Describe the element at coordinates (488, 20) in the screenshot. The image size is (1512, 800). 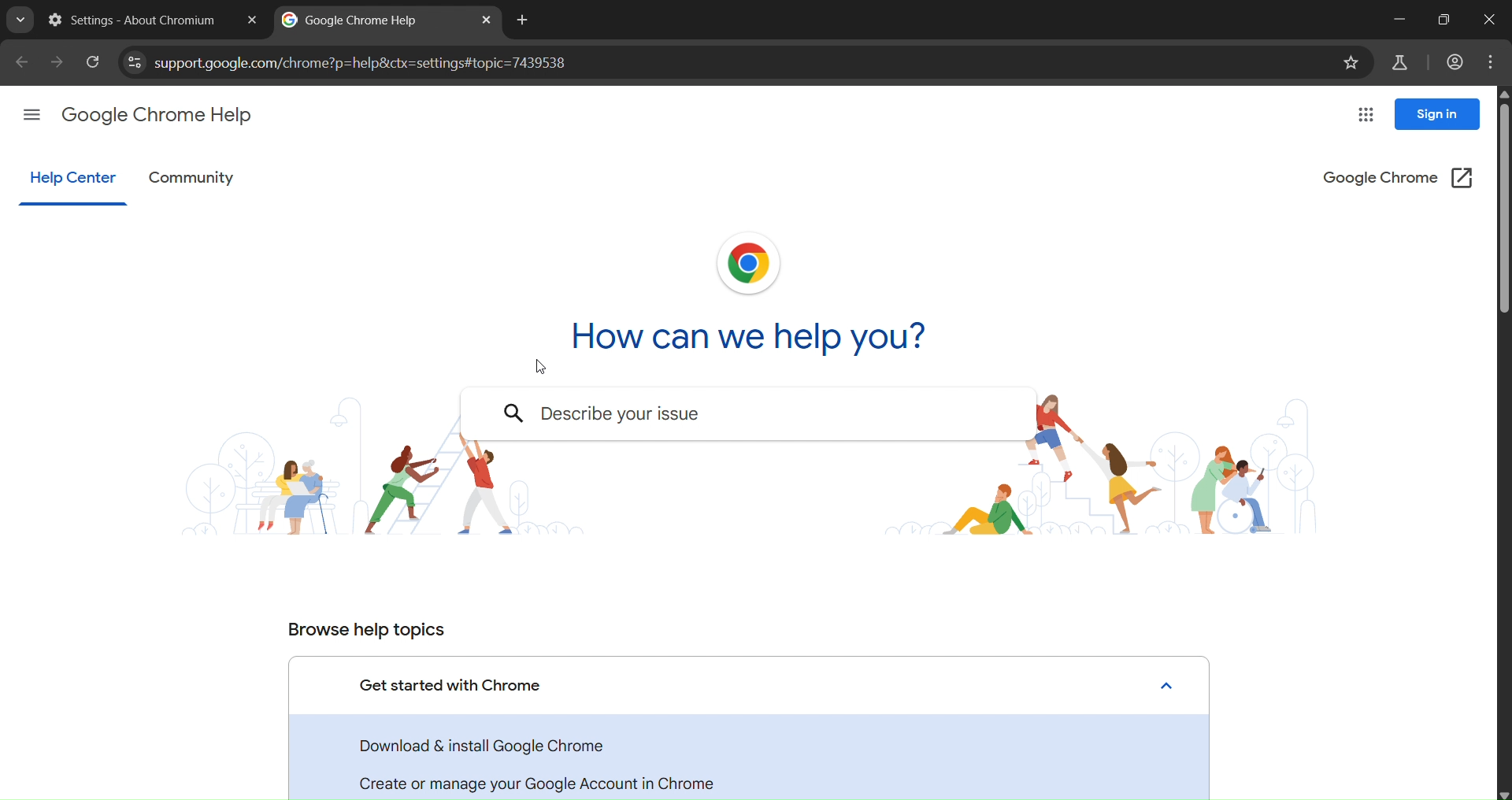
I see `close tab` at that location.